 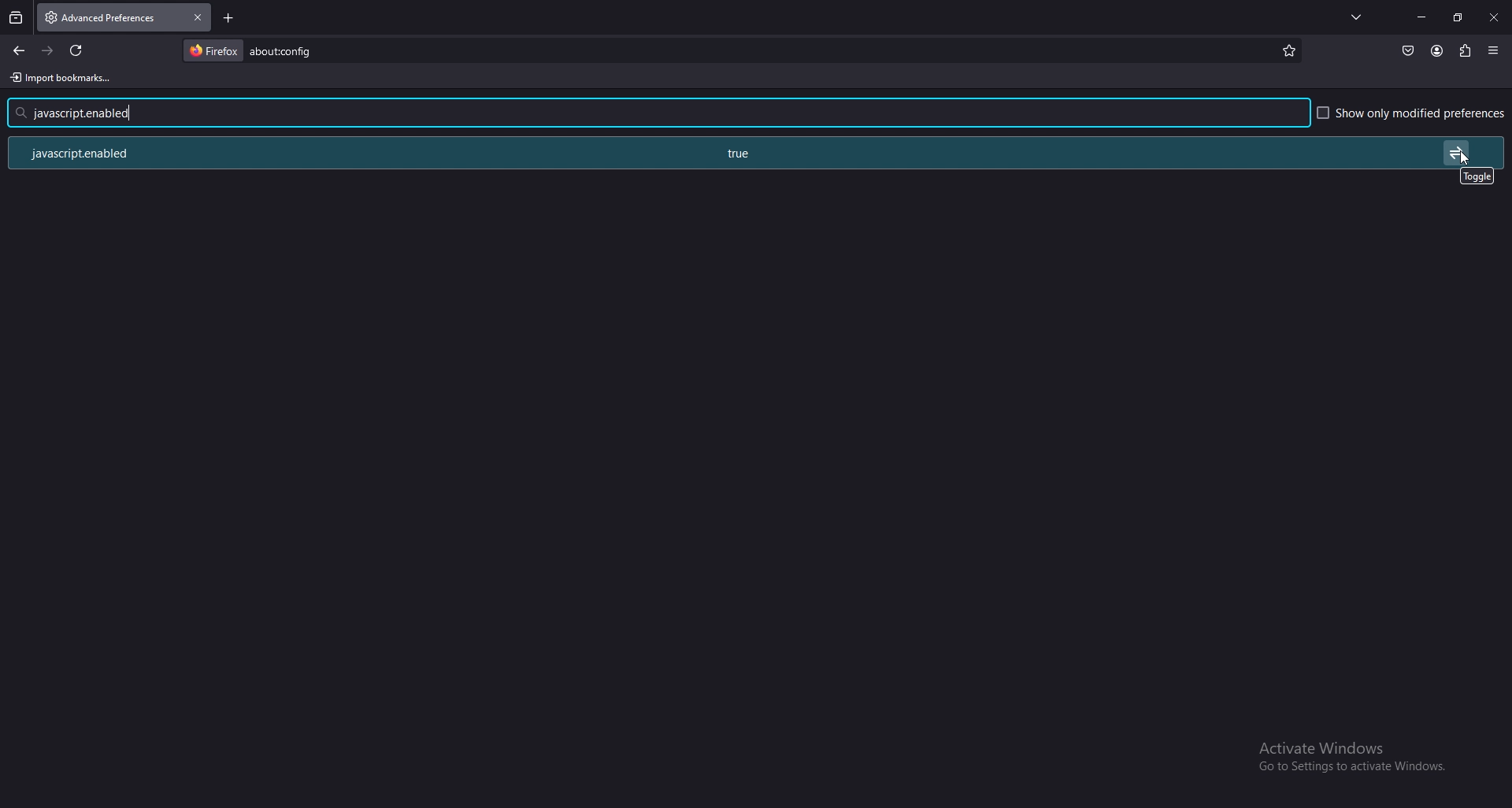 I want to click on close tab, so click(x=197, y=17).